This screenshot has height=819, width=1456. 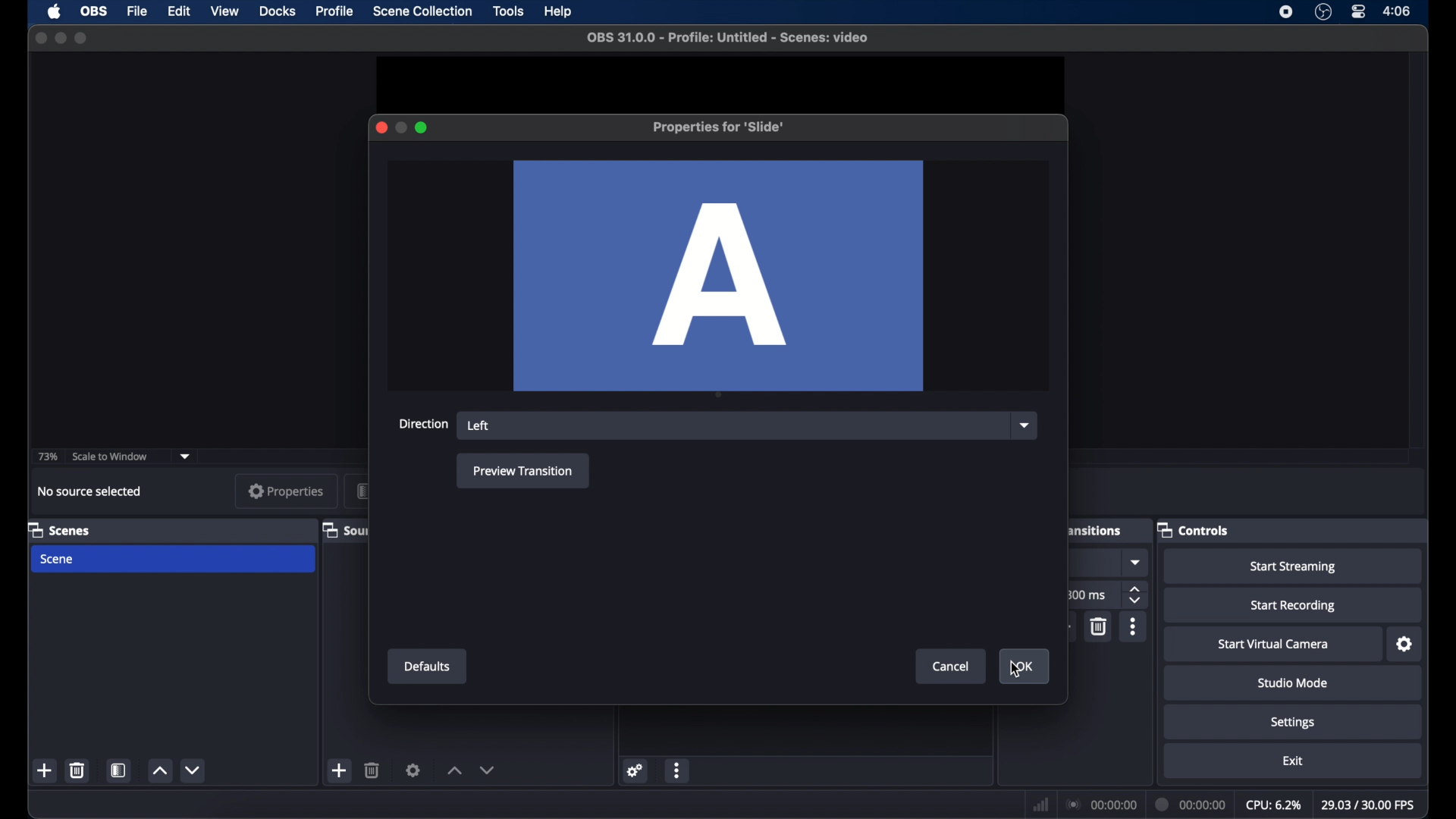 What do you see at coordinates (1370, 805) in the screenshot?
I see `fps` at bounding box center [1370, 805].